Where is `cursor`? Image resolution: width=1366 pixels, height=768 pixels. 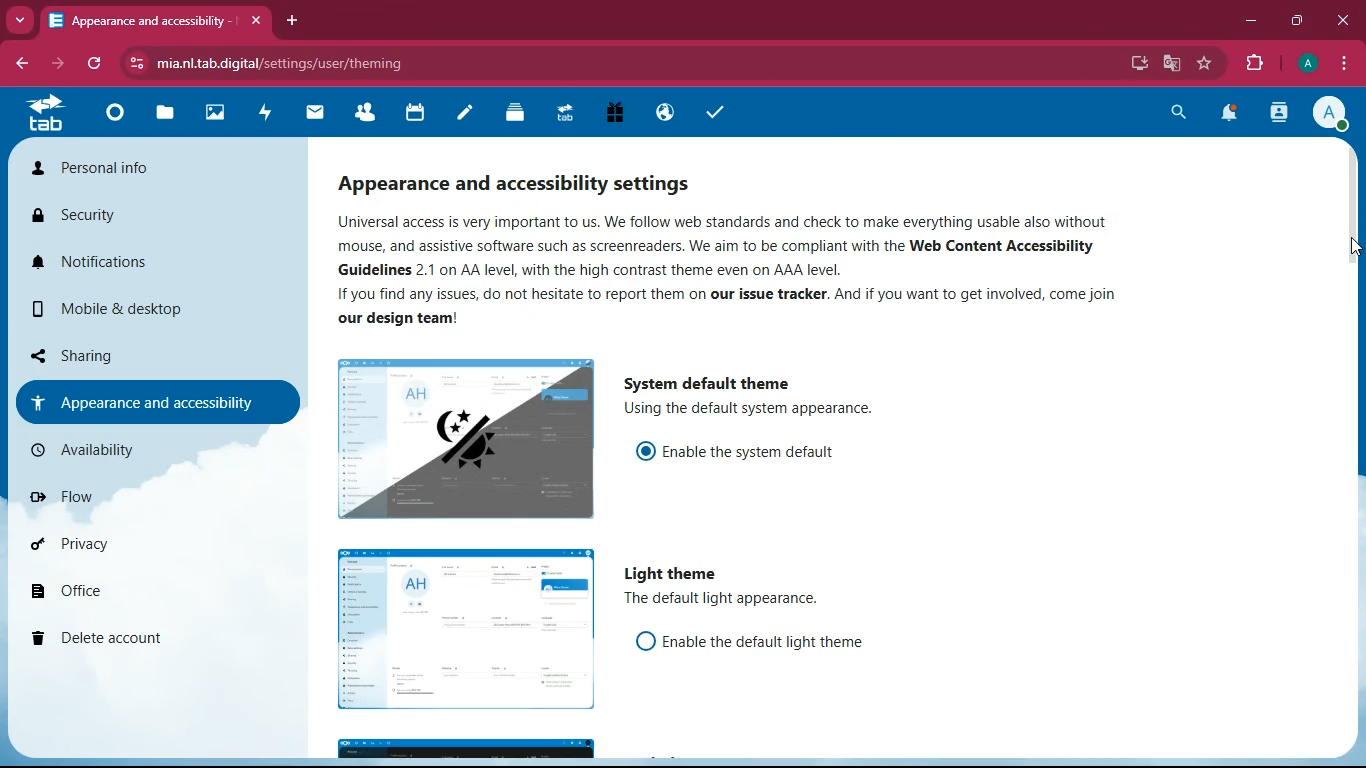
cursor is located at coordinates (1352, 247).